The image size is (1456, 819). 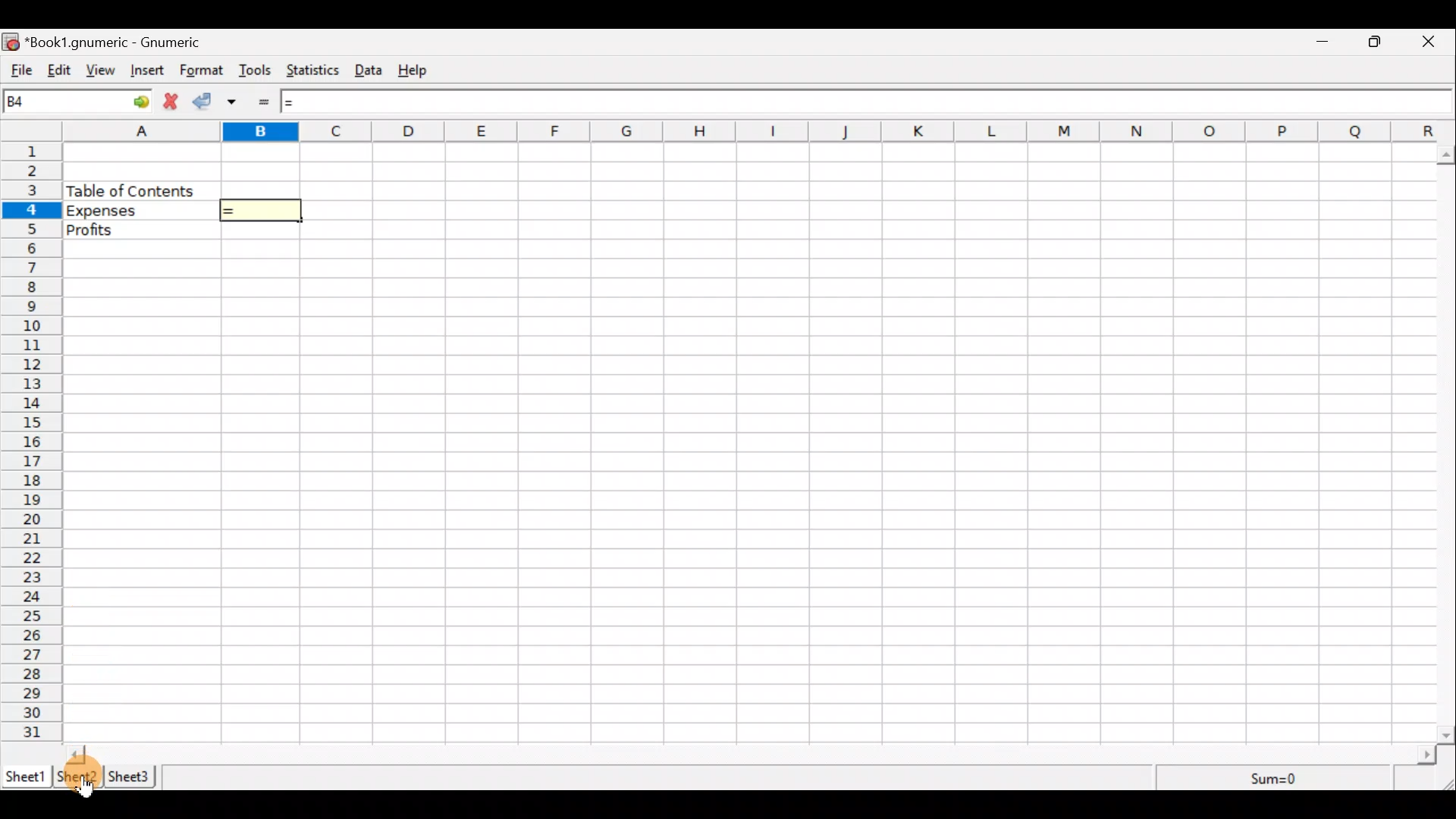 I want to click on Cancel change, so click(x=174, y=103).